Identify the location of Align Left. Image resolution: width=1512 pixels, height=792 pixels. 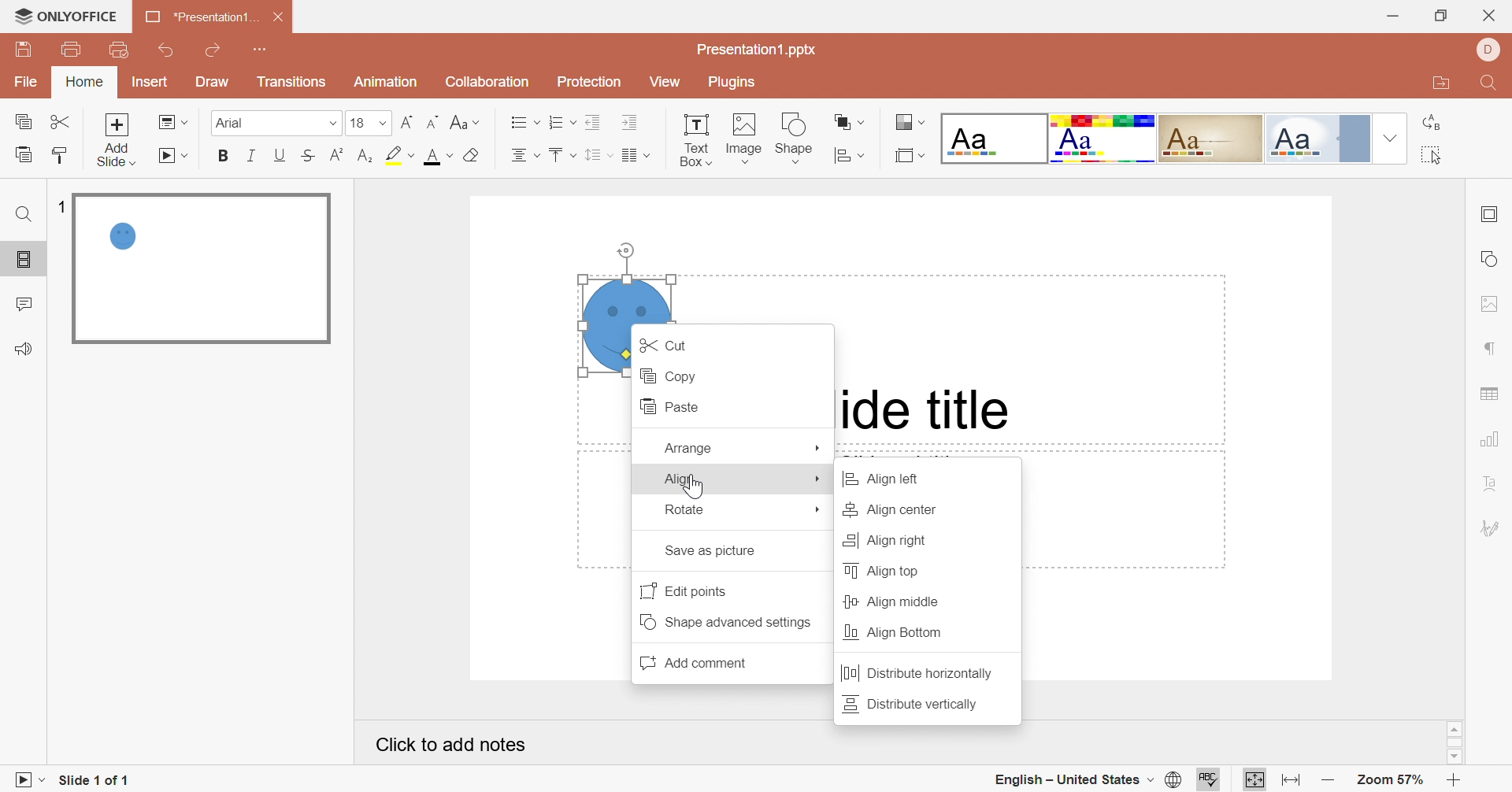
(891, 480).